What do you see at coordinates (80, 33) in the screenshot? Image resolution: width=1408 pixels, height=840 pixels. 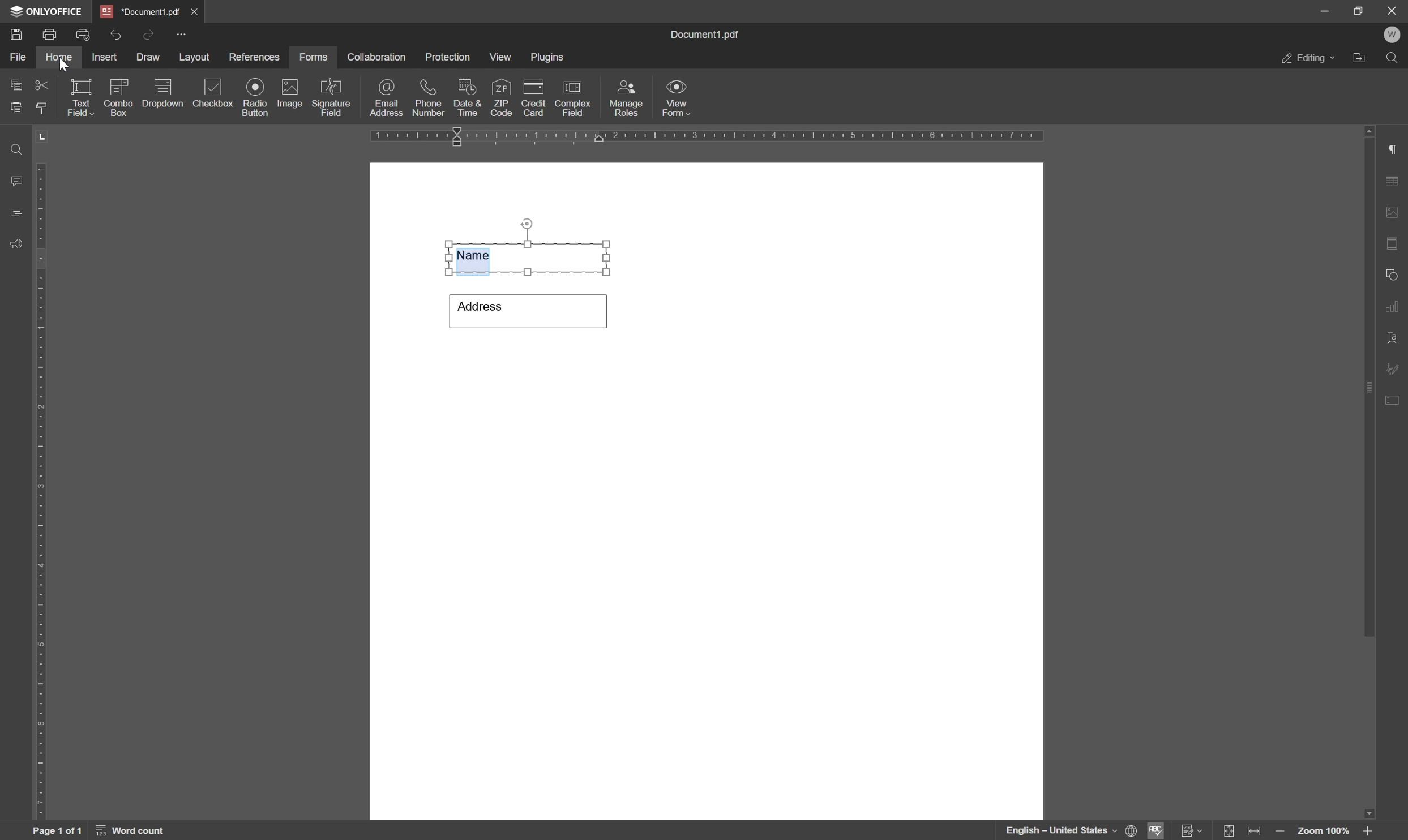 I see `quick print` at bounding box center [80, 33].